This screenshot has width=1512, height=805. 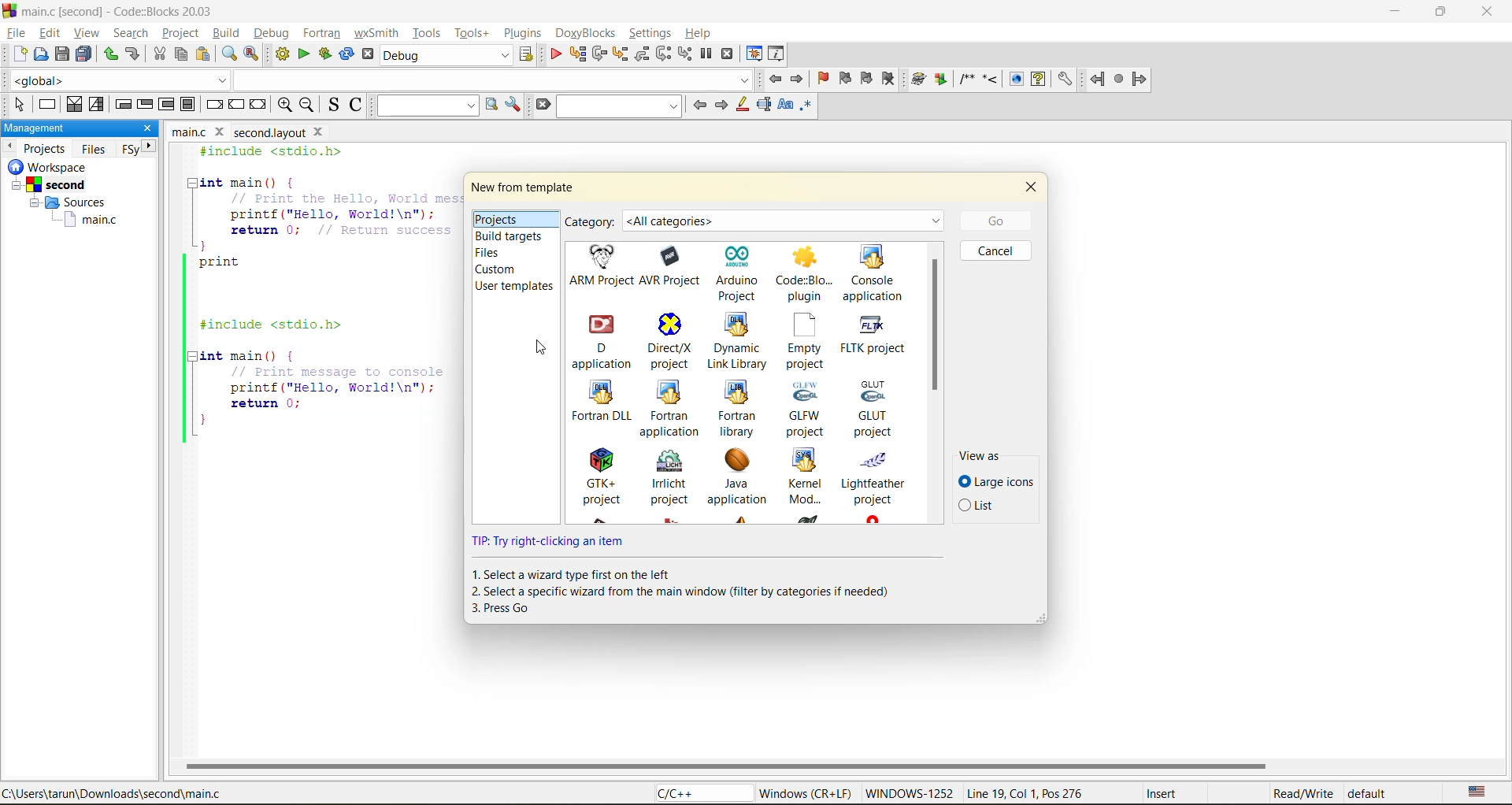 What do you see at coordinates (135, 55) in the screenshot?
I see `redo` at bounding box center [135, 55].